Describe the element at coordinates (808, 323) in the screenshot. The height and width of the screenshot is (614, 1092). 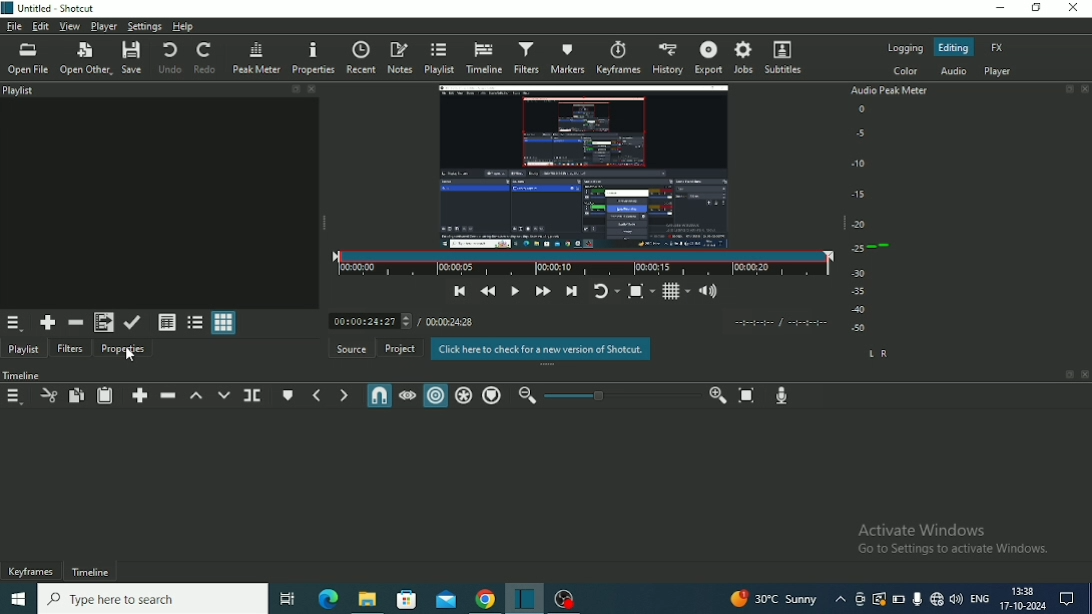
I see `Selected Duration` at that location.